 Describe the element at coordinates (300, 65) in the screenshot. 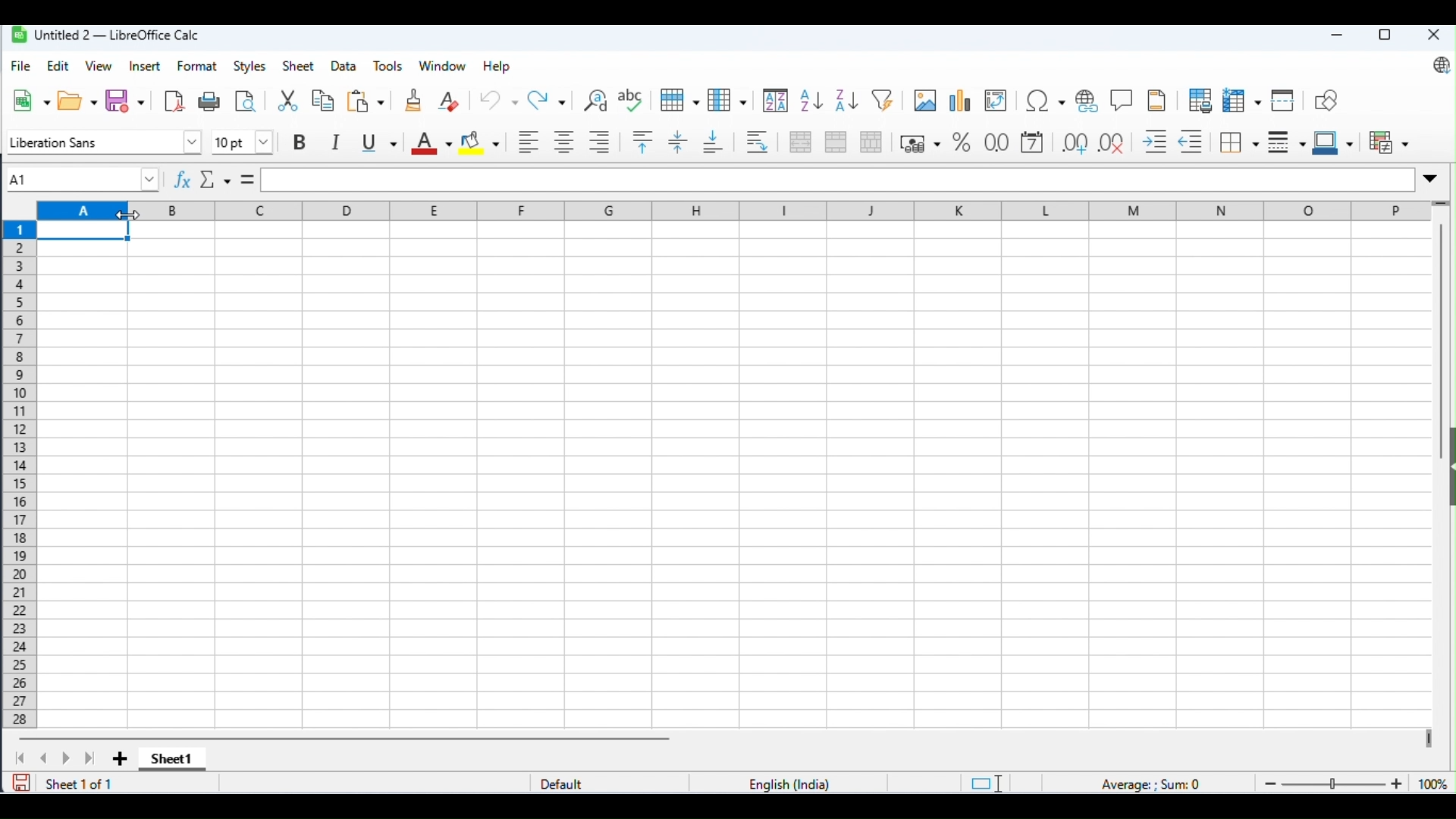

I see `sheet` at that location.